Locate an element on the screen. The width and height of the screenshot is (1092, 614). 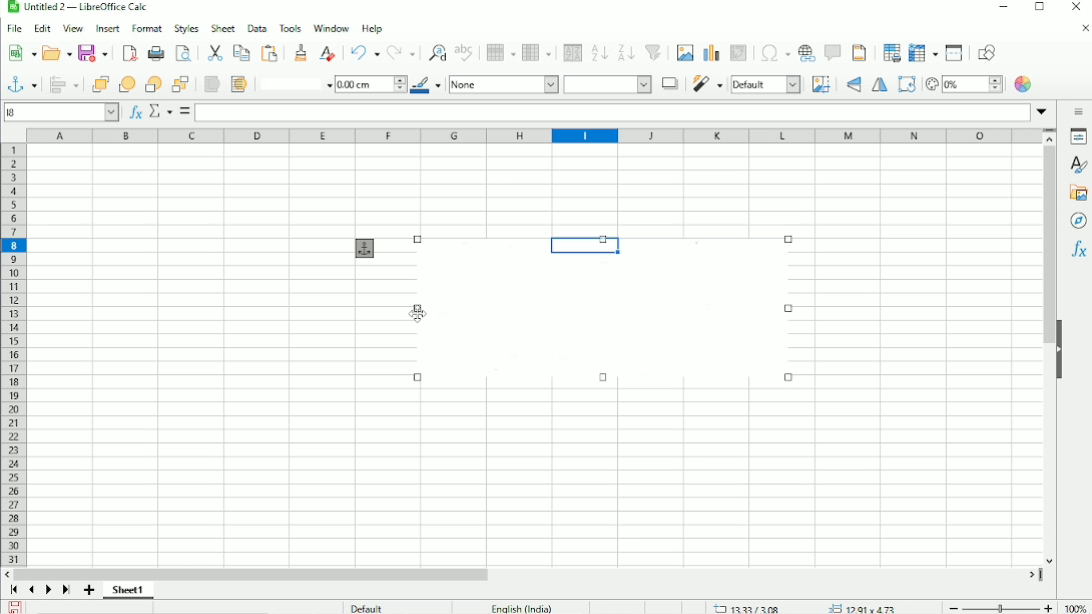
Language is located at coordinates (522, 607).